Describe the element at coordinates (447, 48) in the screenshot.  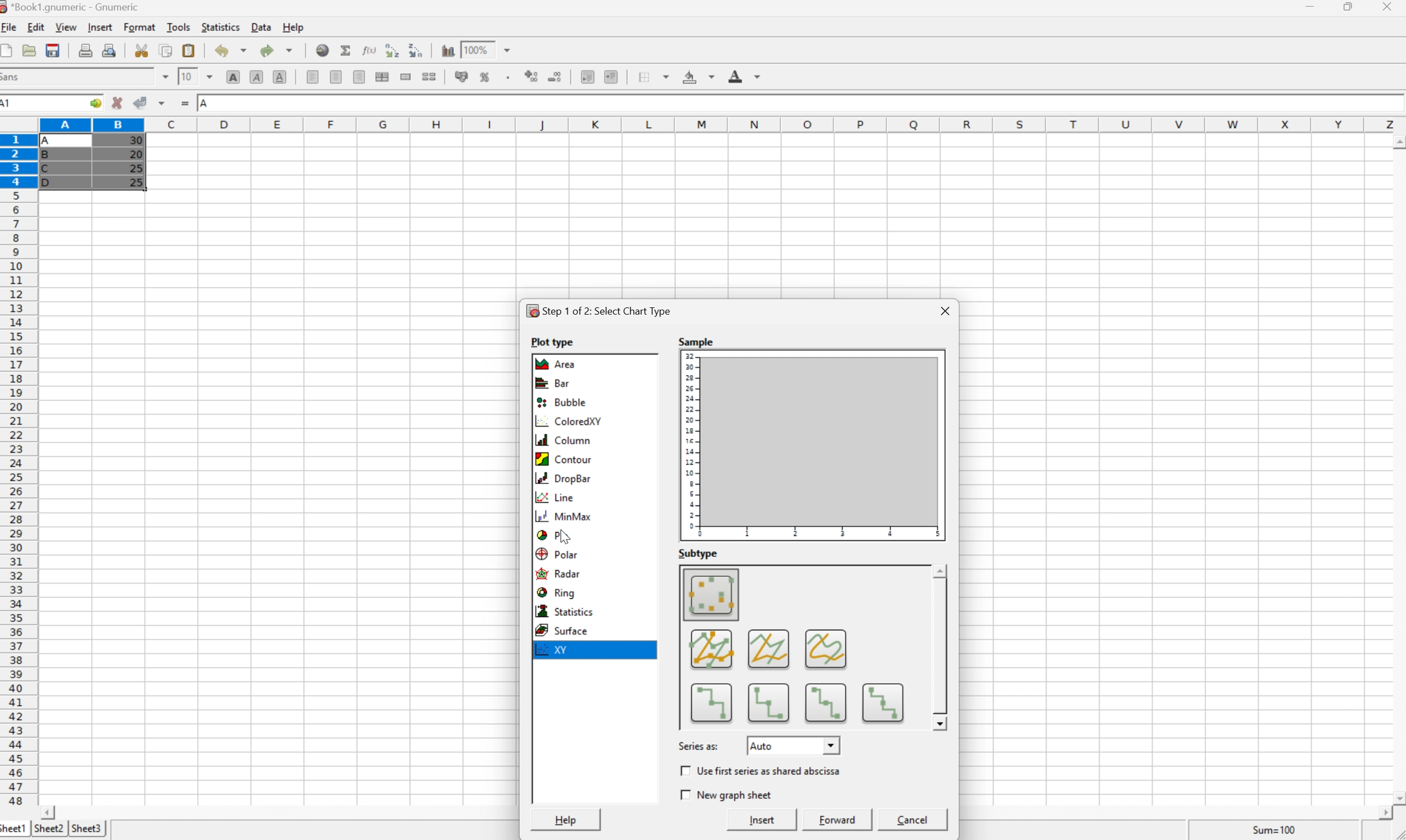
I see `Insert a chart` at that location.